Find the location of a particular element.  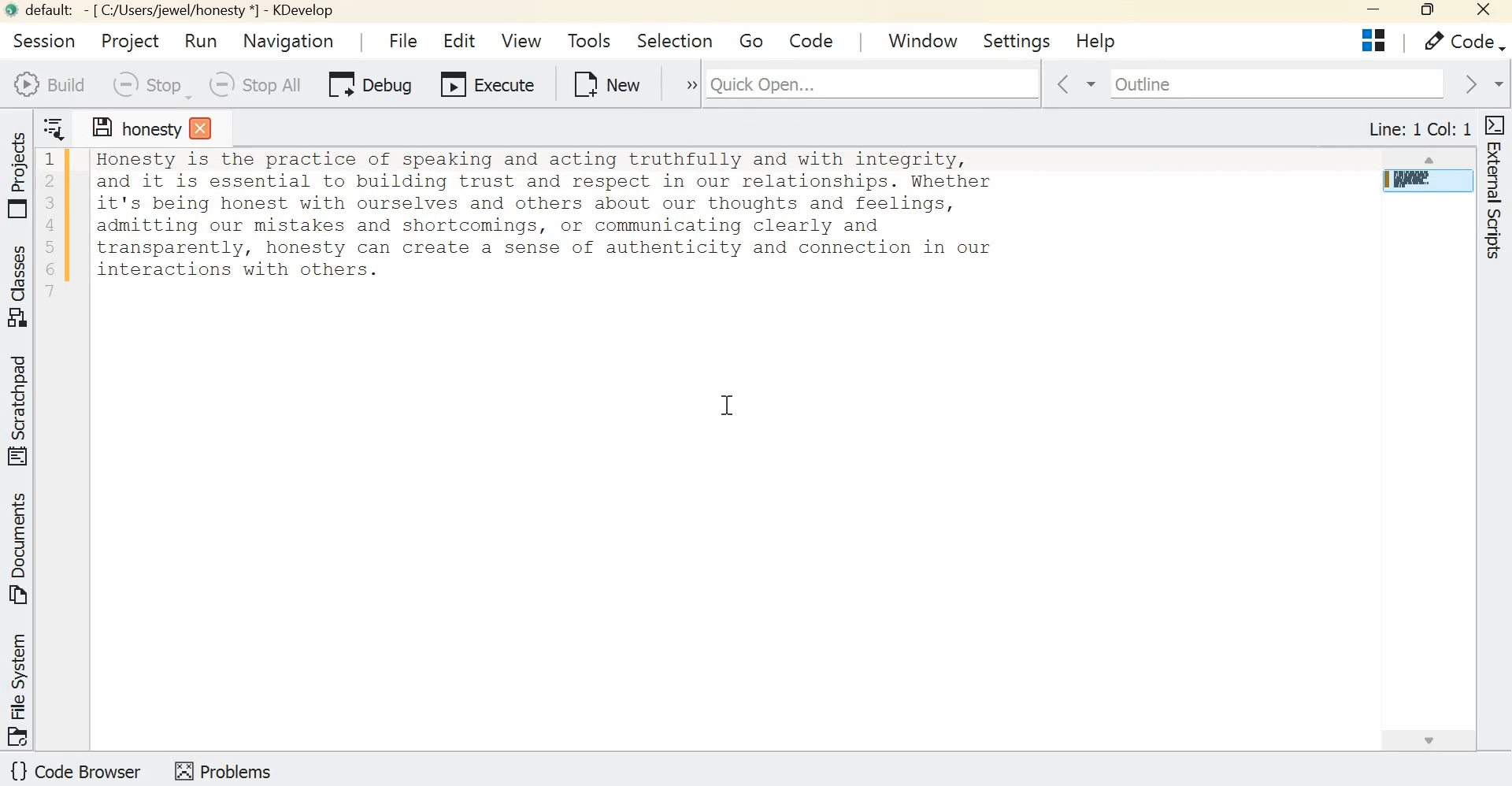

cursor is located at coordinates (699, 43).